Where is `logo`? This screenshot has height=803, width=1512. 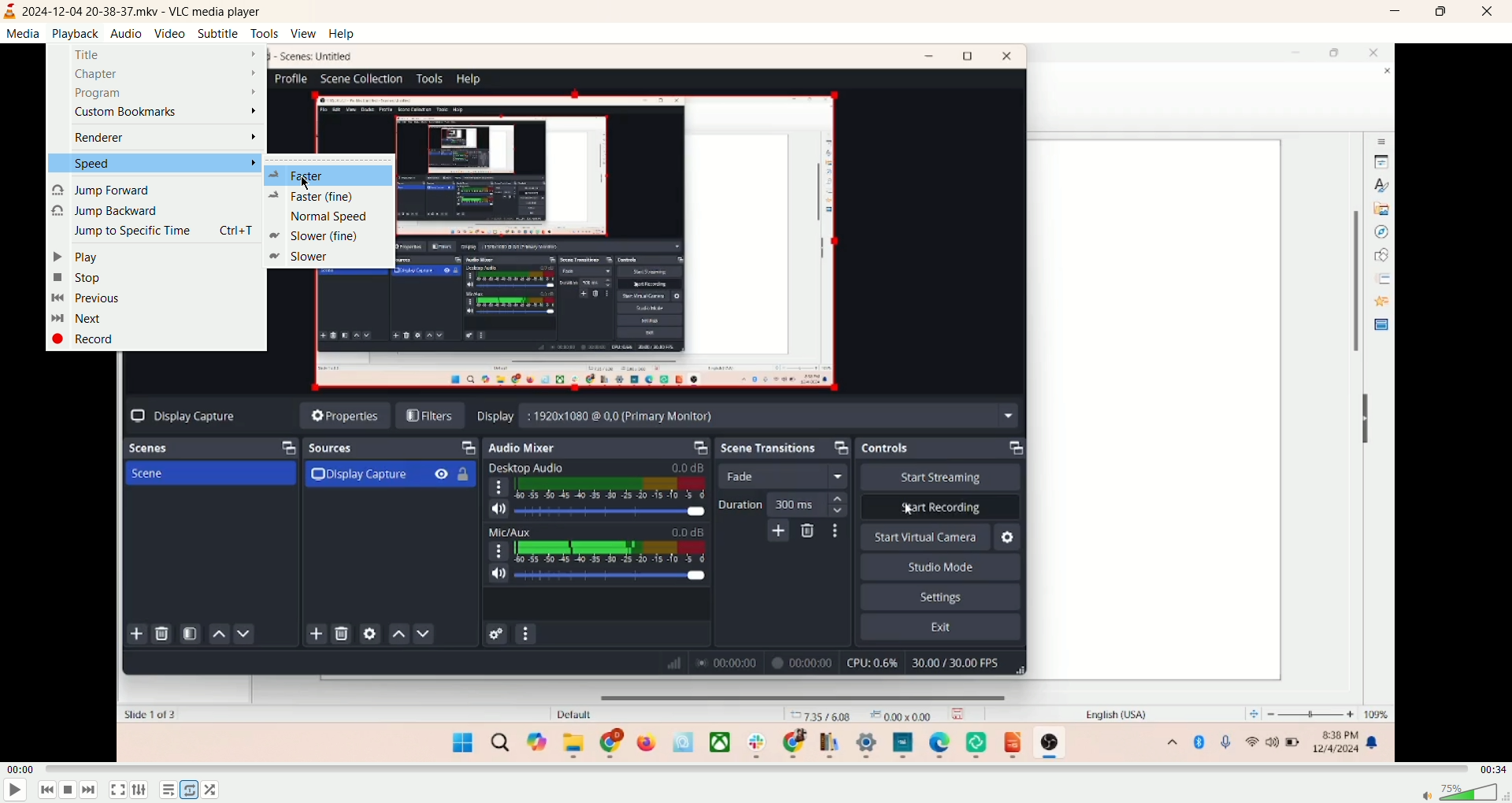 logo is located at coordinates (9, 12).